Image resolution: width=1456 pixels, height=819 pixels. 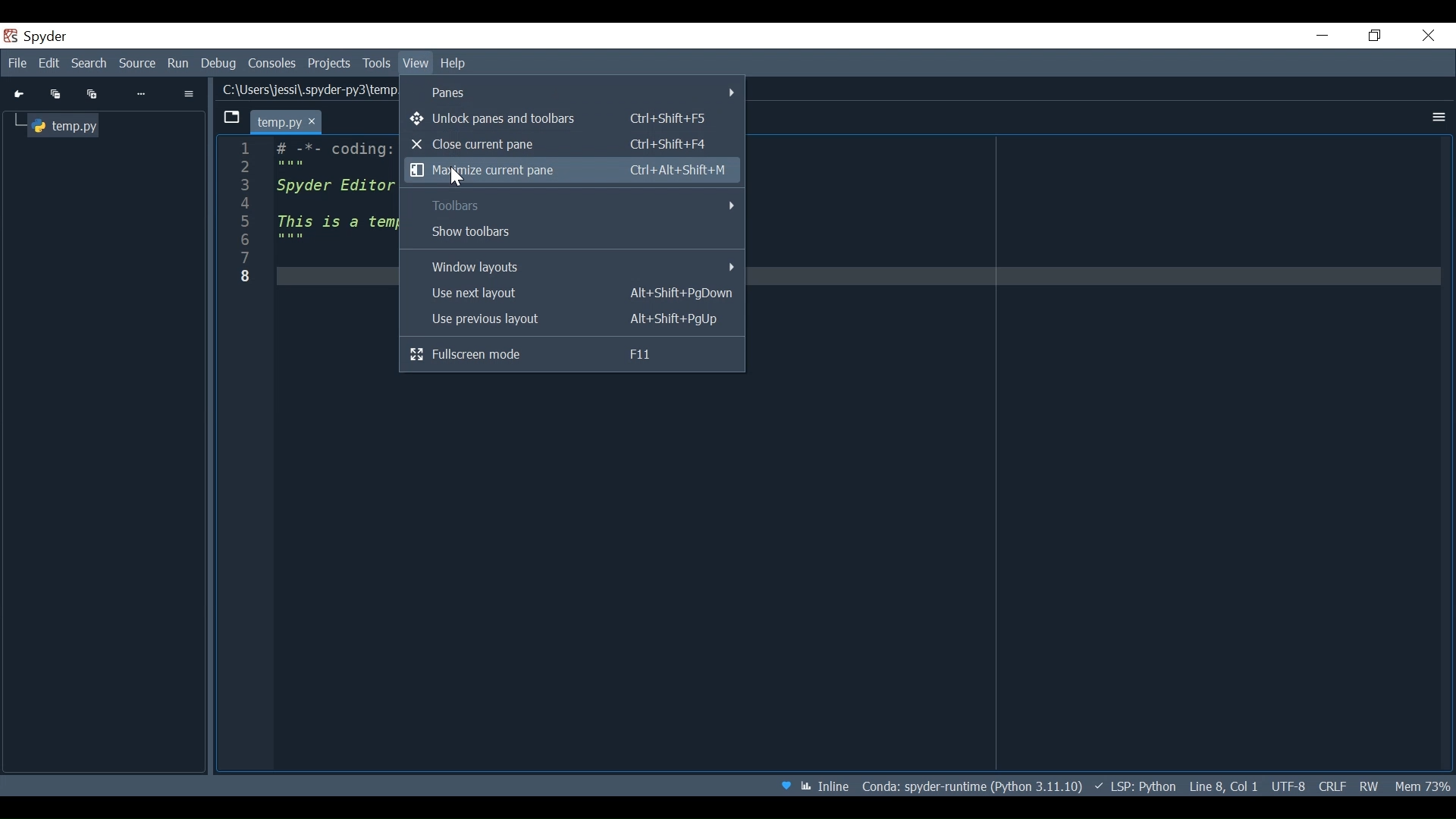 I want to click on Restore, so click(x=1373, y=37).